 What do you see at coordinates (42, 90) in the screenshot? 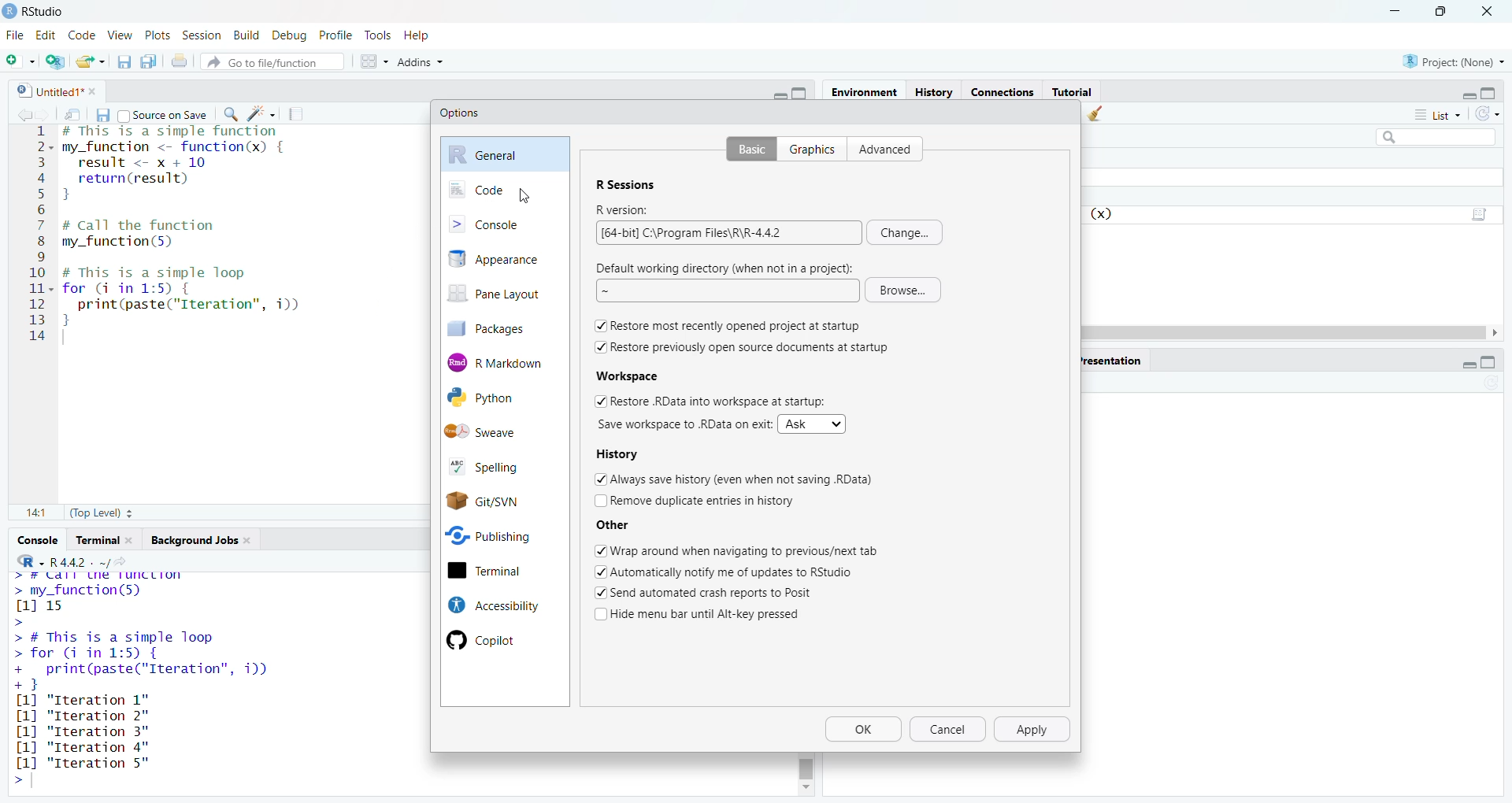
I see `untitled` at bounding box center [42, 90].